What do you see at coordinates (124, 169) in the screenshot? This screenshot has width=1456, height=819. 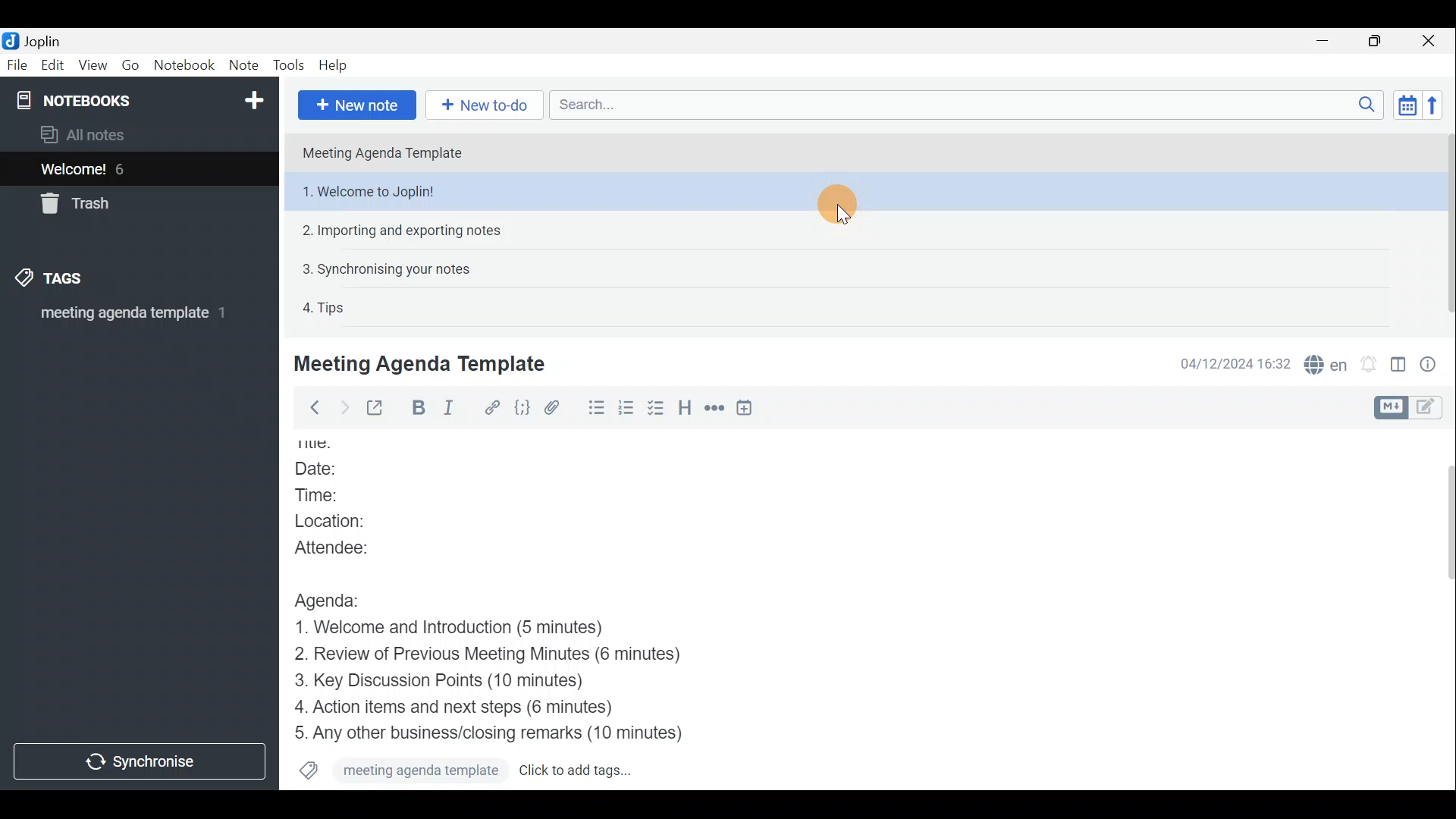 I see `6` at bounding box center [124, 169].